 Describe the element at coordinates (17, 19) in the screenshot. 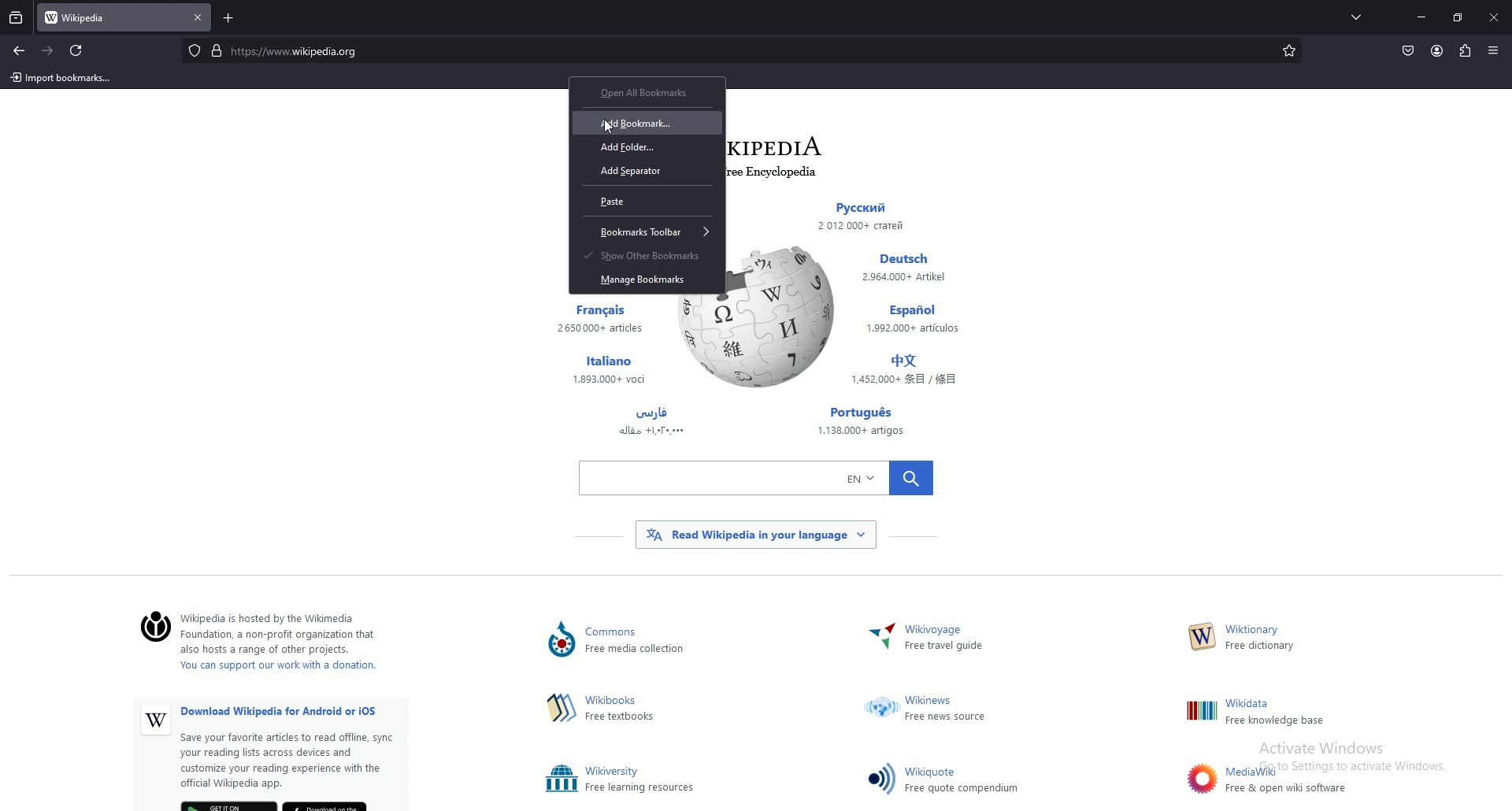

I see `recent browsing` at that location.